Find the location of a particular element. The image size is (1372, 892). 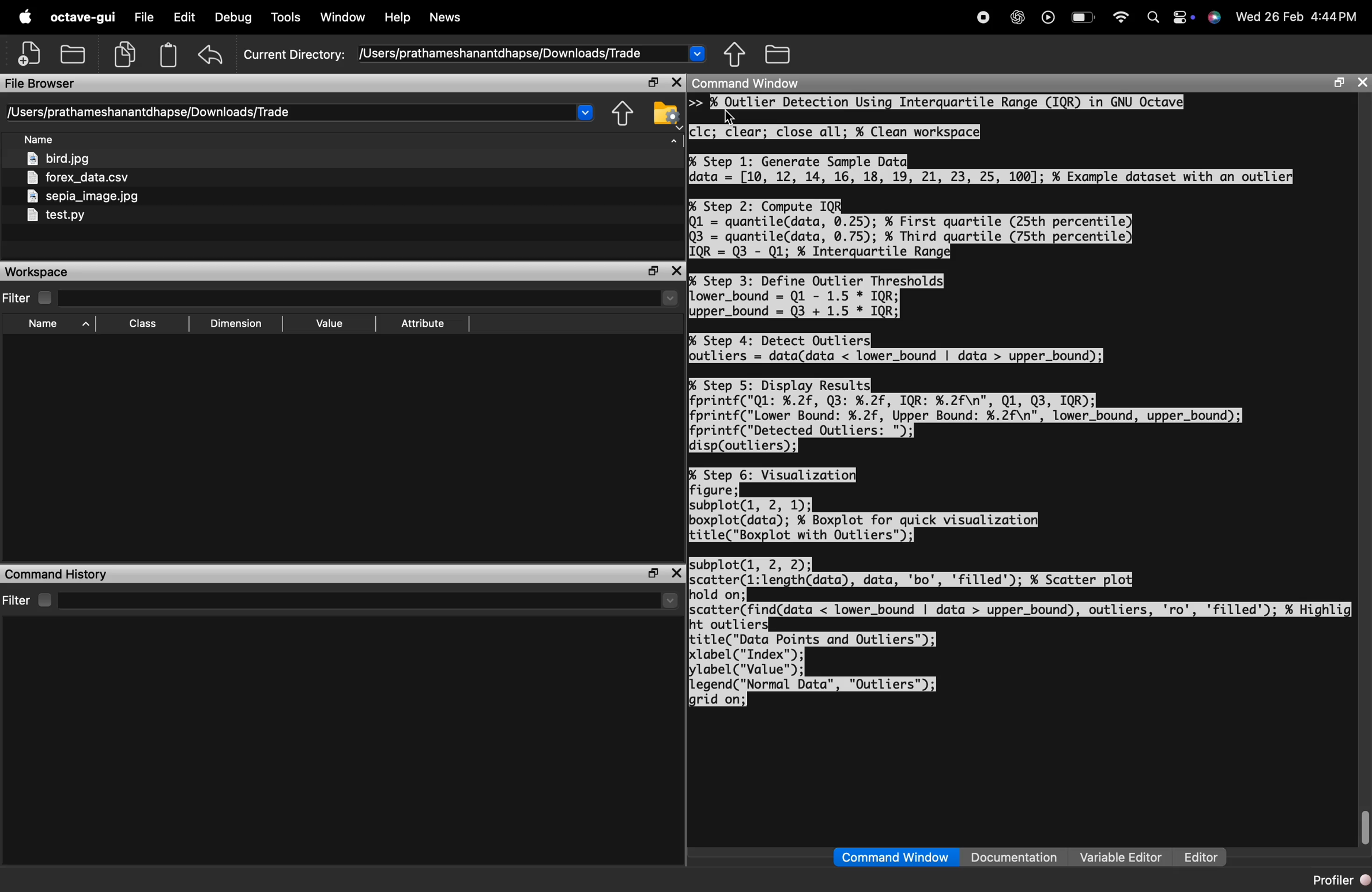

wifi is located at coordinates (1121, 18).